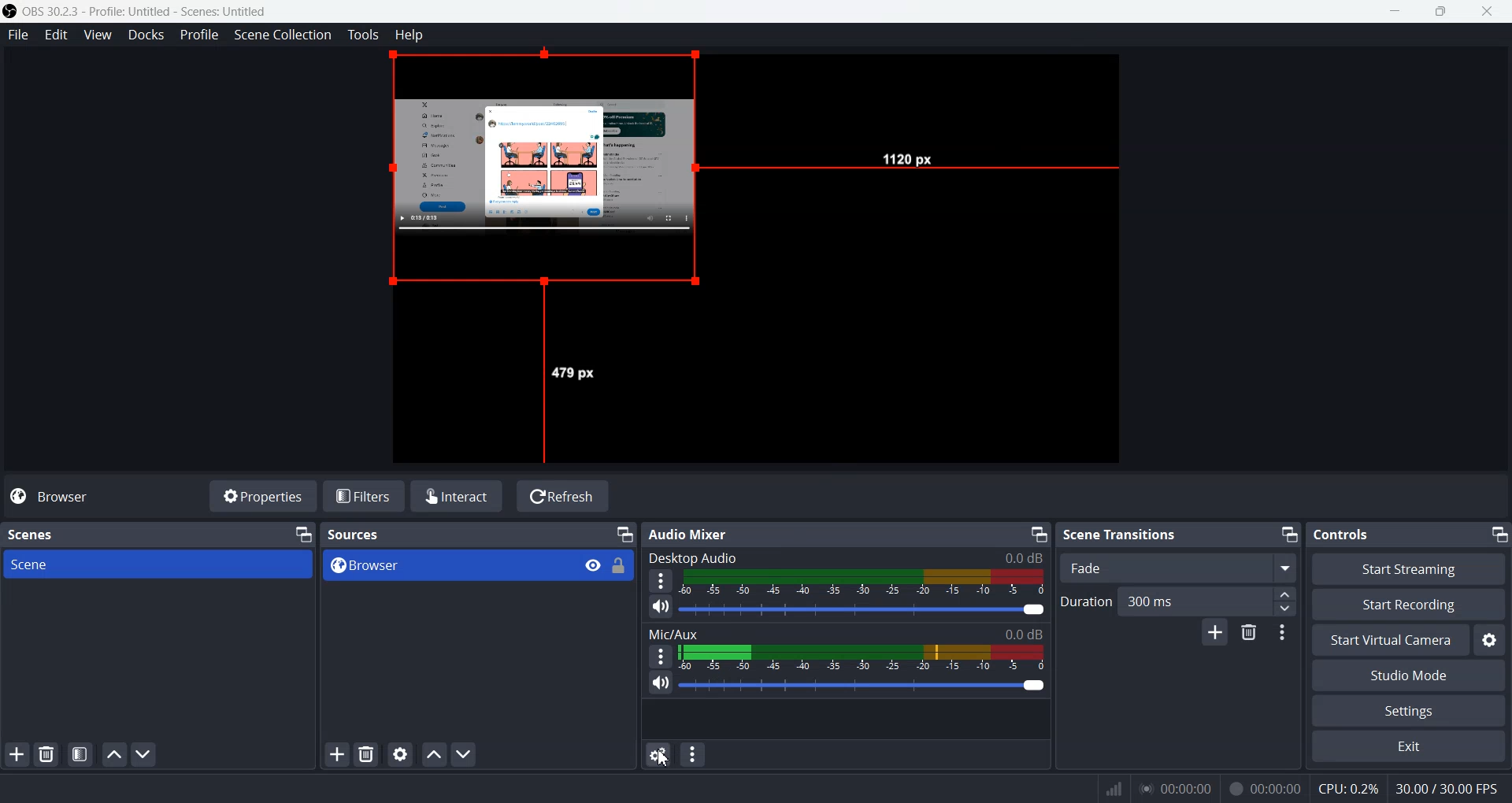 The height and width of the screenshot is (803, 1512). I want to click on Sources, so click(364, 534).